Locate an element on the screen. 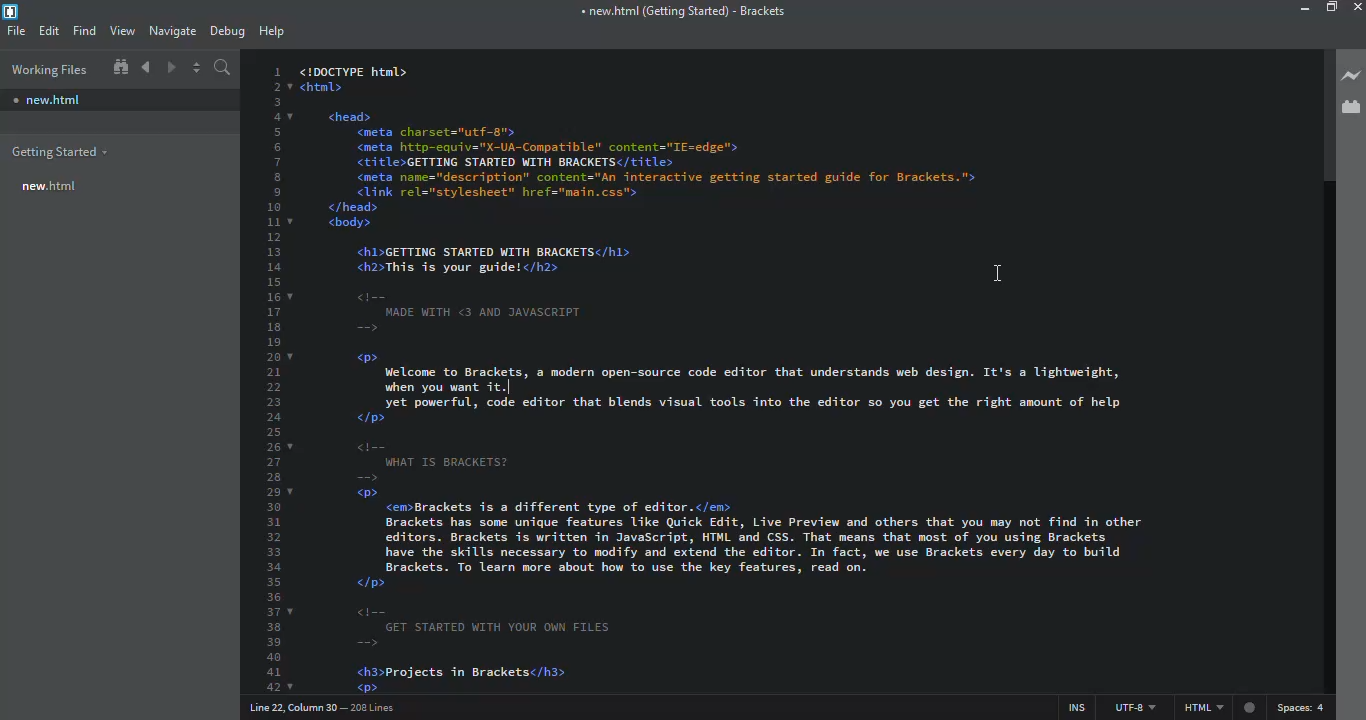 This screenshot has width=1366, height=720. getting started is located at coordinates (59, 150).